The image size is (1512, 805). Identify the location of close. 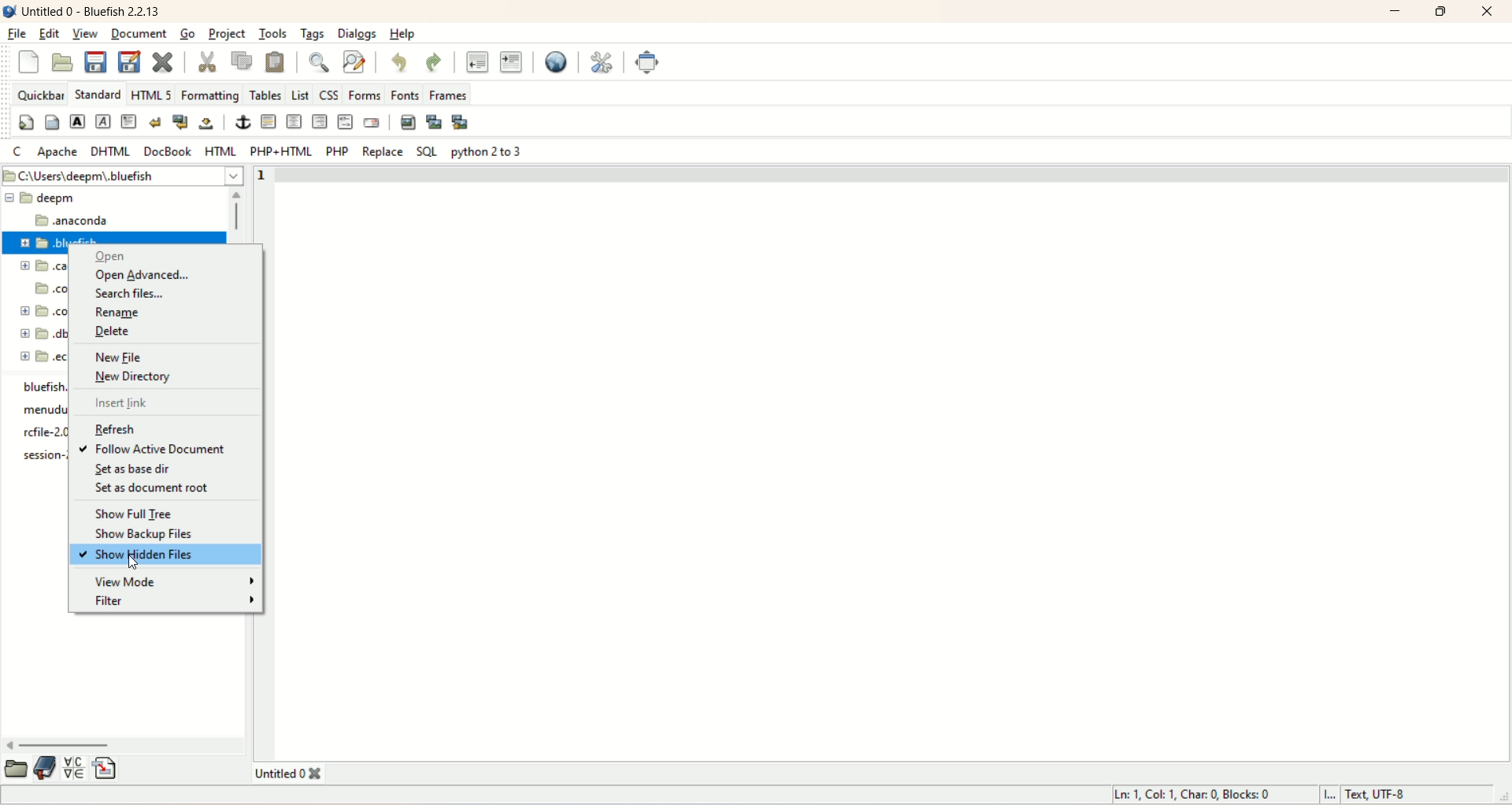
(27, 63).